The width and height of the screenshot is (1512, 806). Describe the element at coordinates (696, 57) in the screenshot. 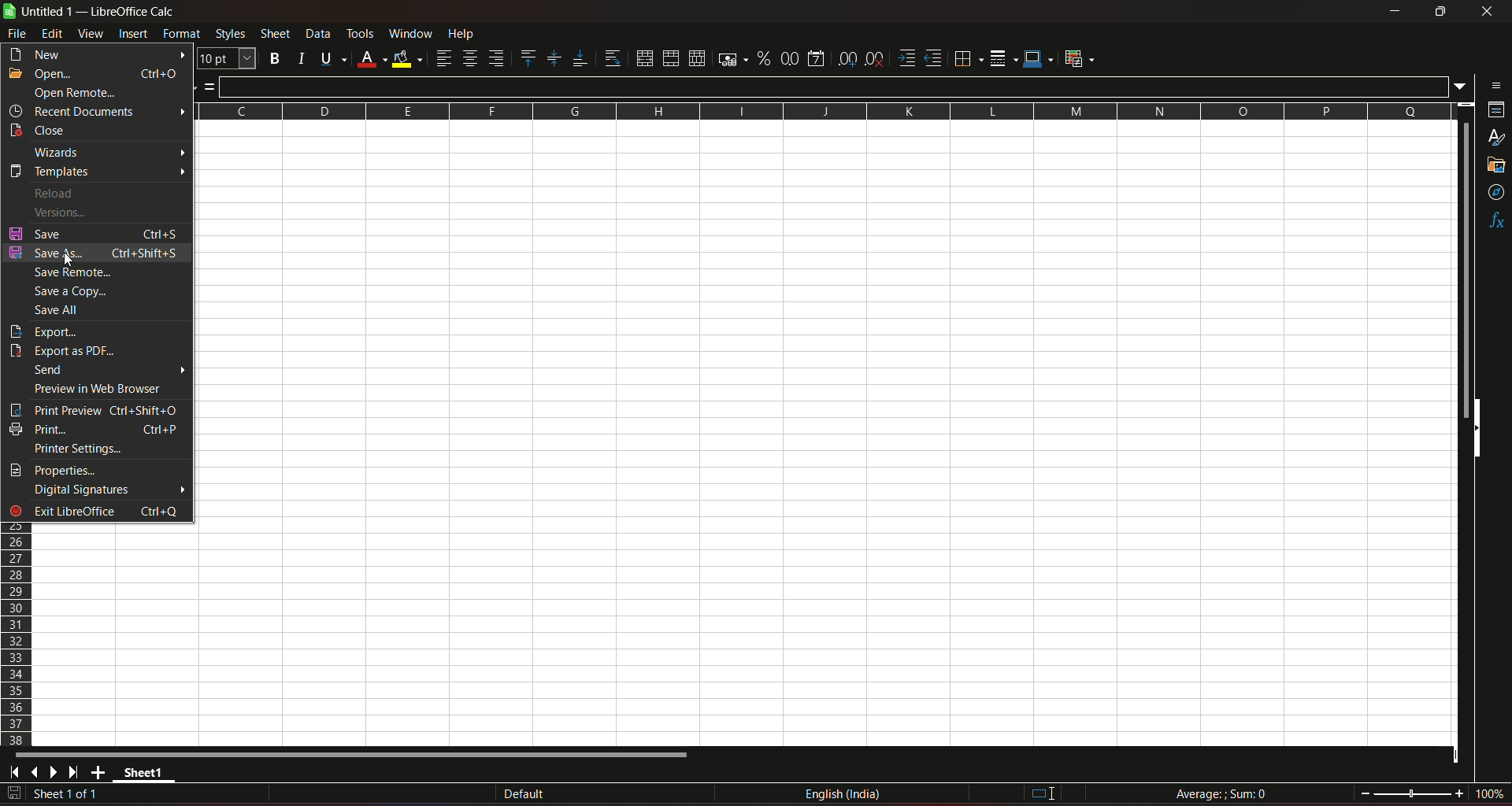

I see `unmerge cells` at that location.